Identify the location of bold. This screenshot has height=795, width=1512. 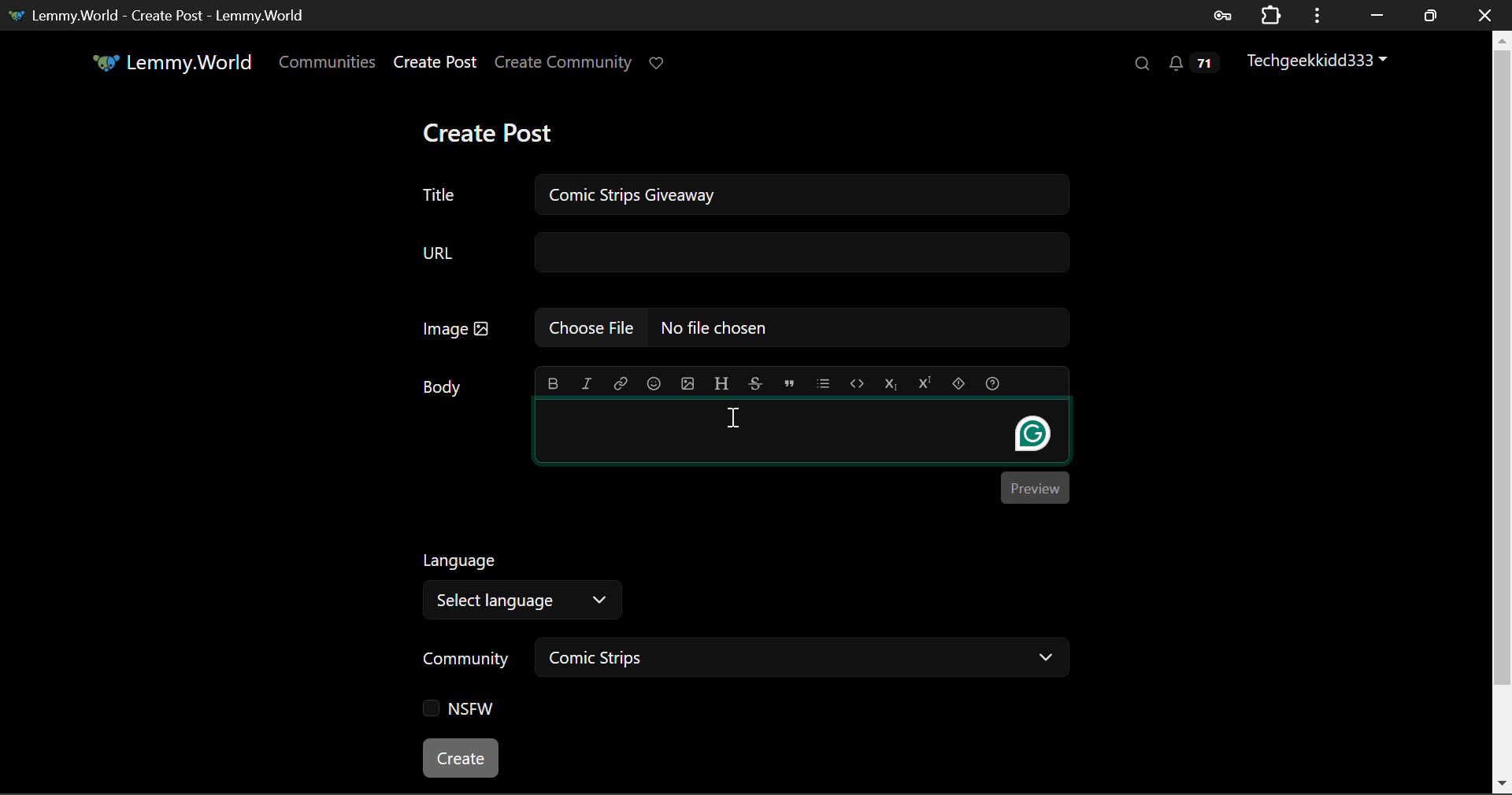
(556, 380).